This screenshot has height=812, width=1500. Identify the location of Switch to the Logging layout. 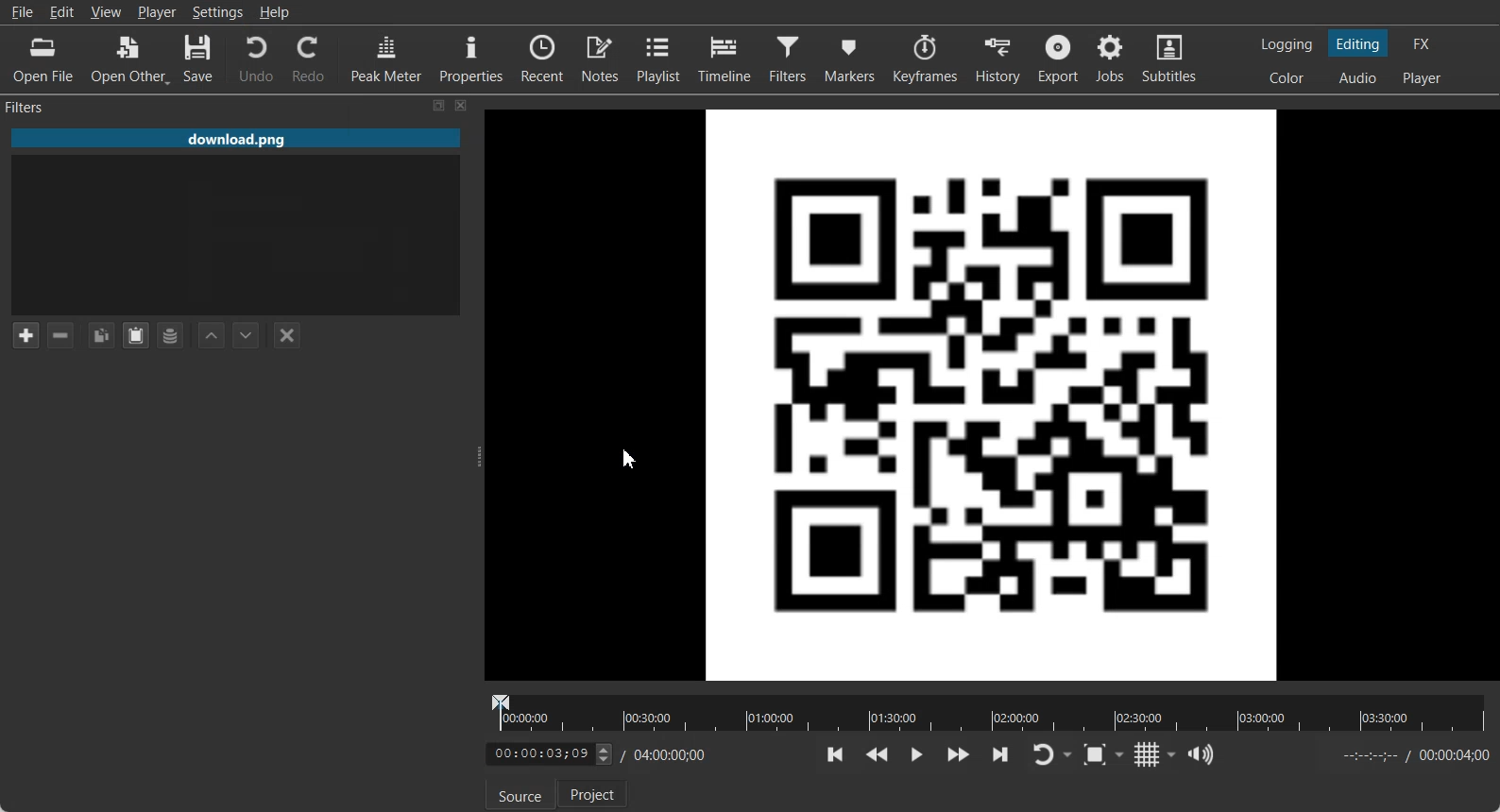
(1287, 44).